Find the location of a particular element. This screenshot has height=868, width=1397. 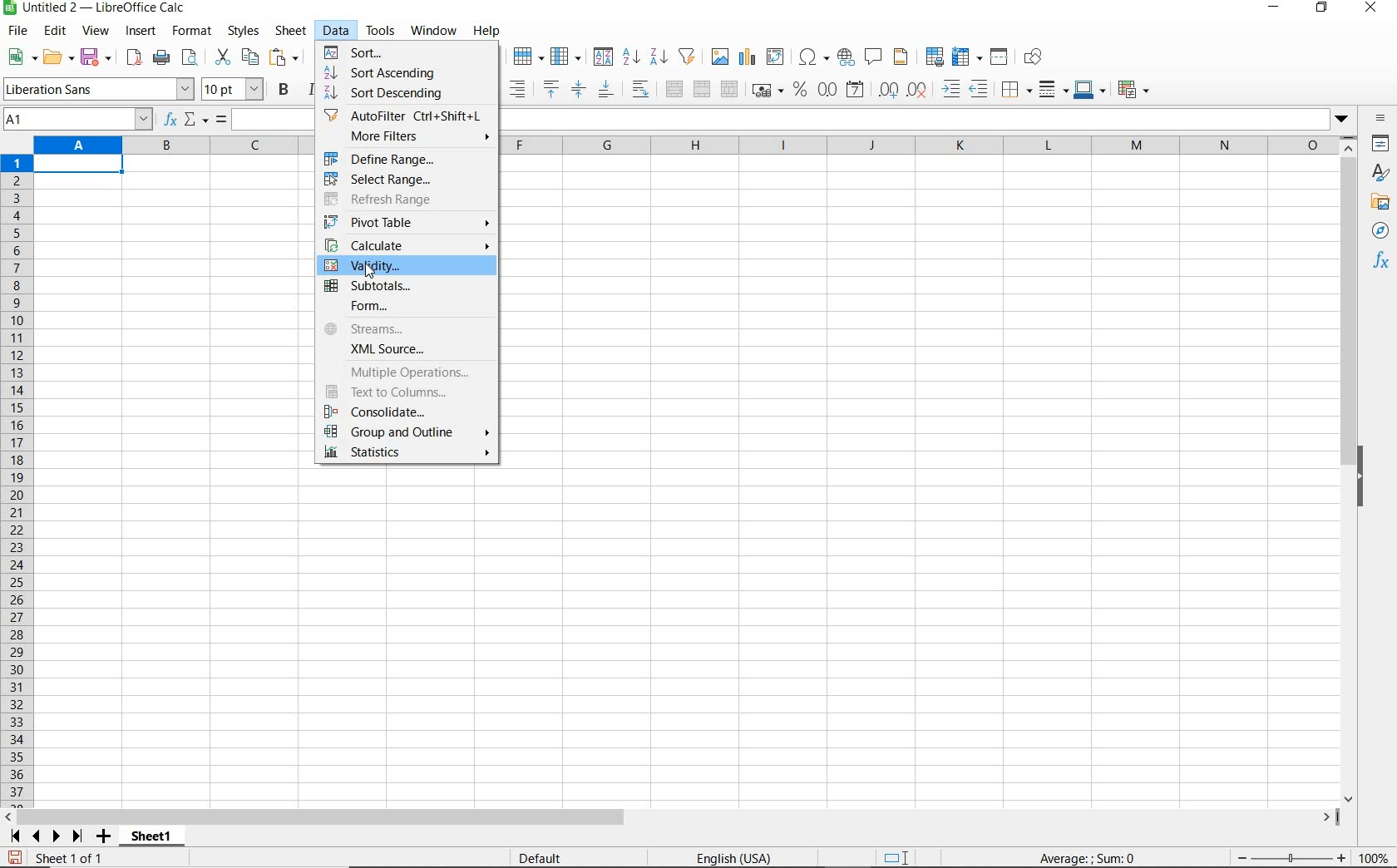

insert special characters is located at coordinates (814, 57).